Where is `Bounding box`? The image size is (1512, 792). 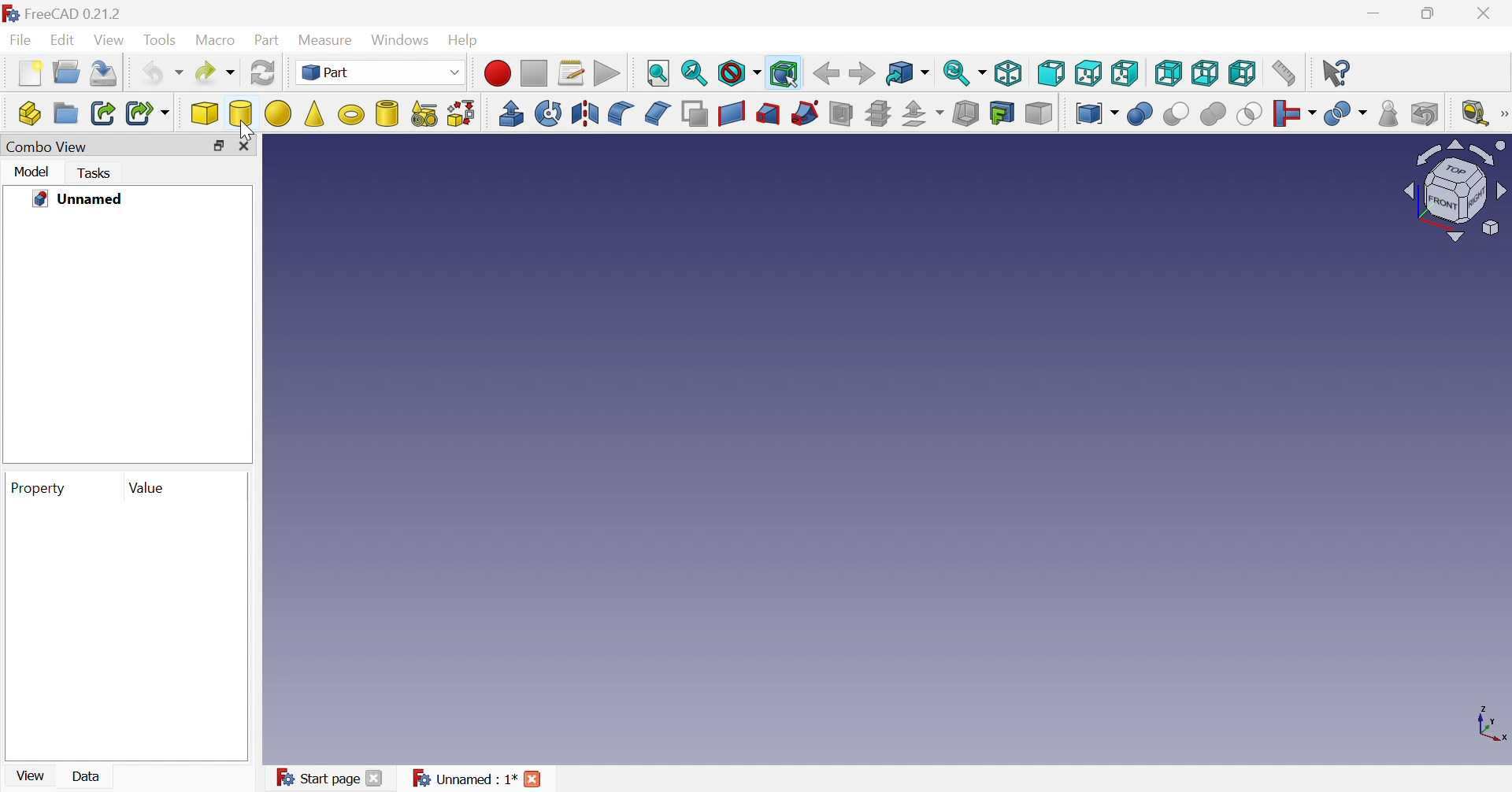 Bounding box is located at coordinates (785, 75).